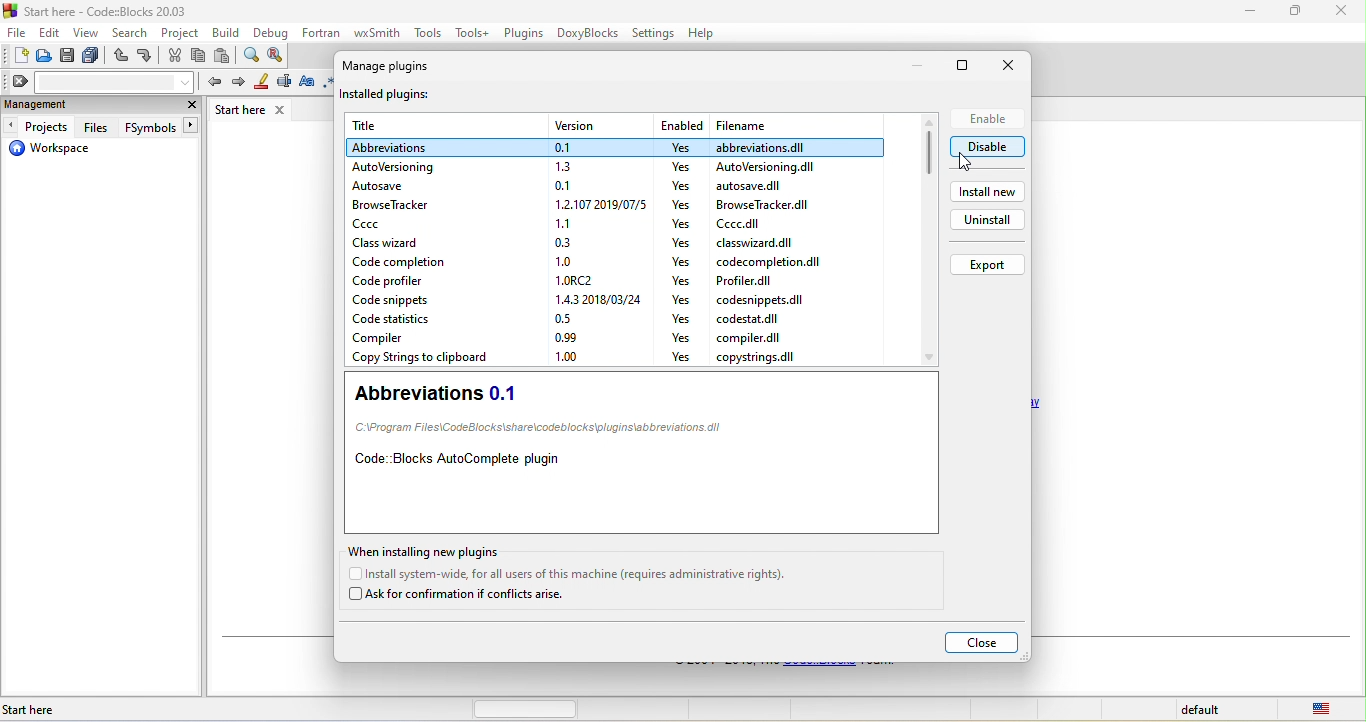 Image resolution: width=1366 pixels, height=722 pixels. Describe the element at coordinates (987, 151) in the screenshot. I see `disable` at that location.